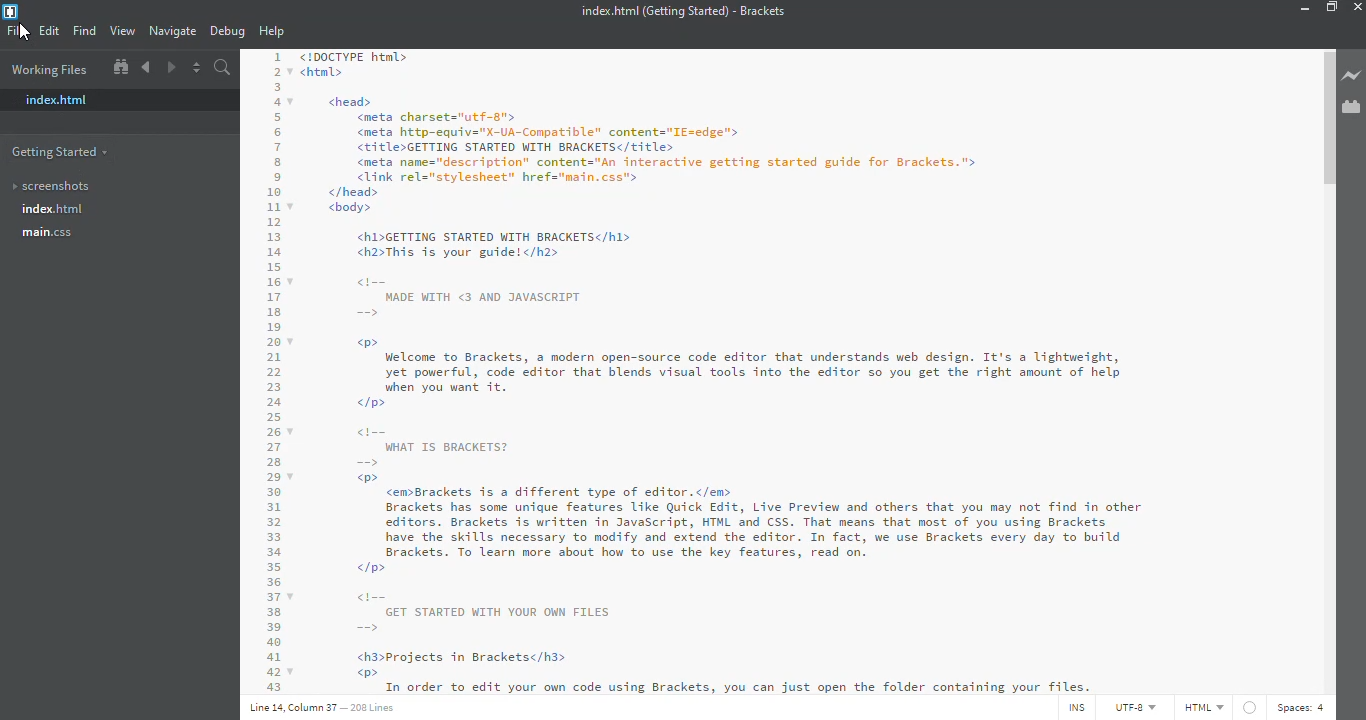 This screenshot has width=1366, height=720. I want to click on help, so click(272, 31).